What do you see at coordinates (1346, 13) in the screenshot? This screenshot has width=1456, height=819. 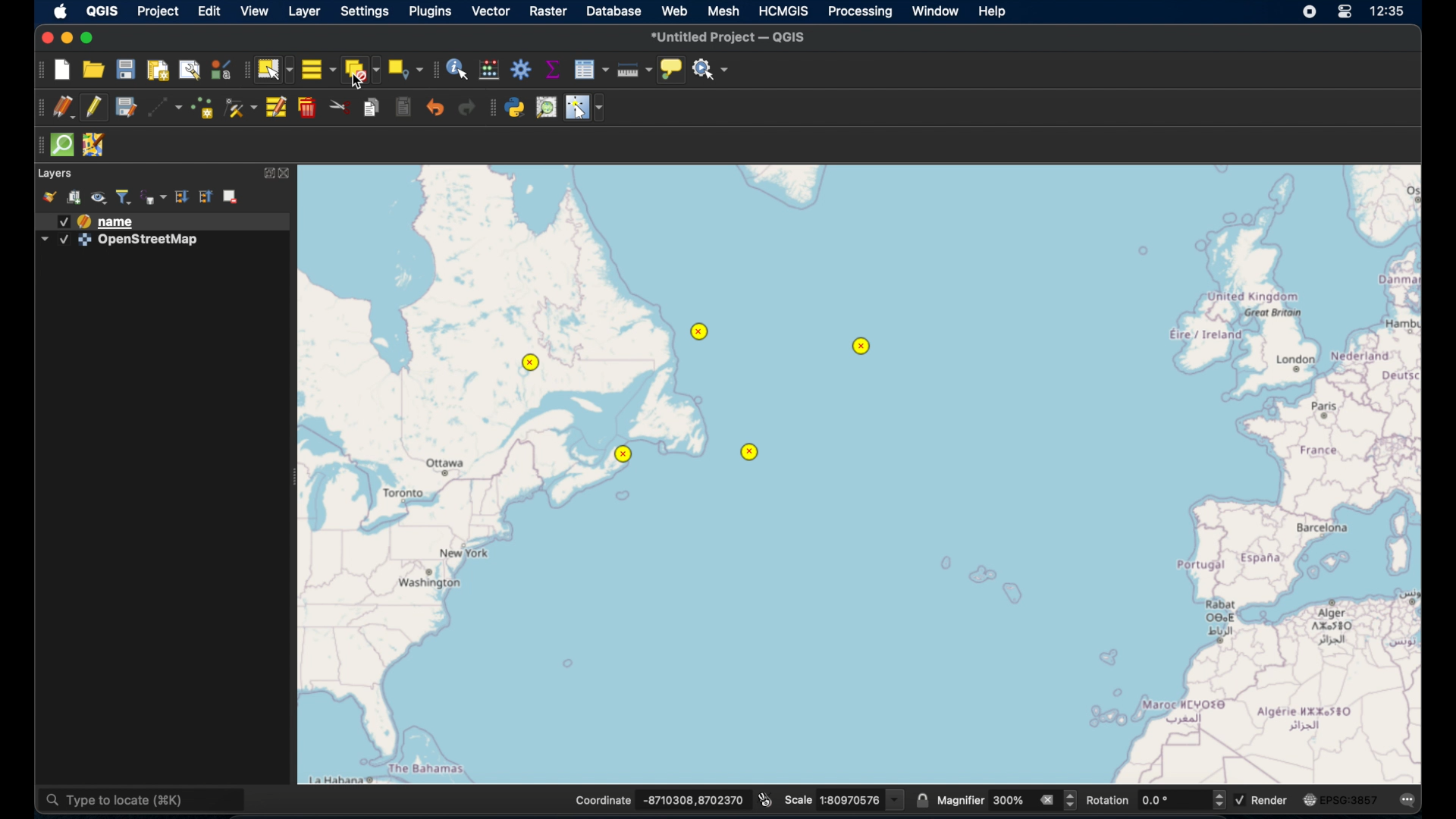 I see `control center` at bounding box center [1346, 13].